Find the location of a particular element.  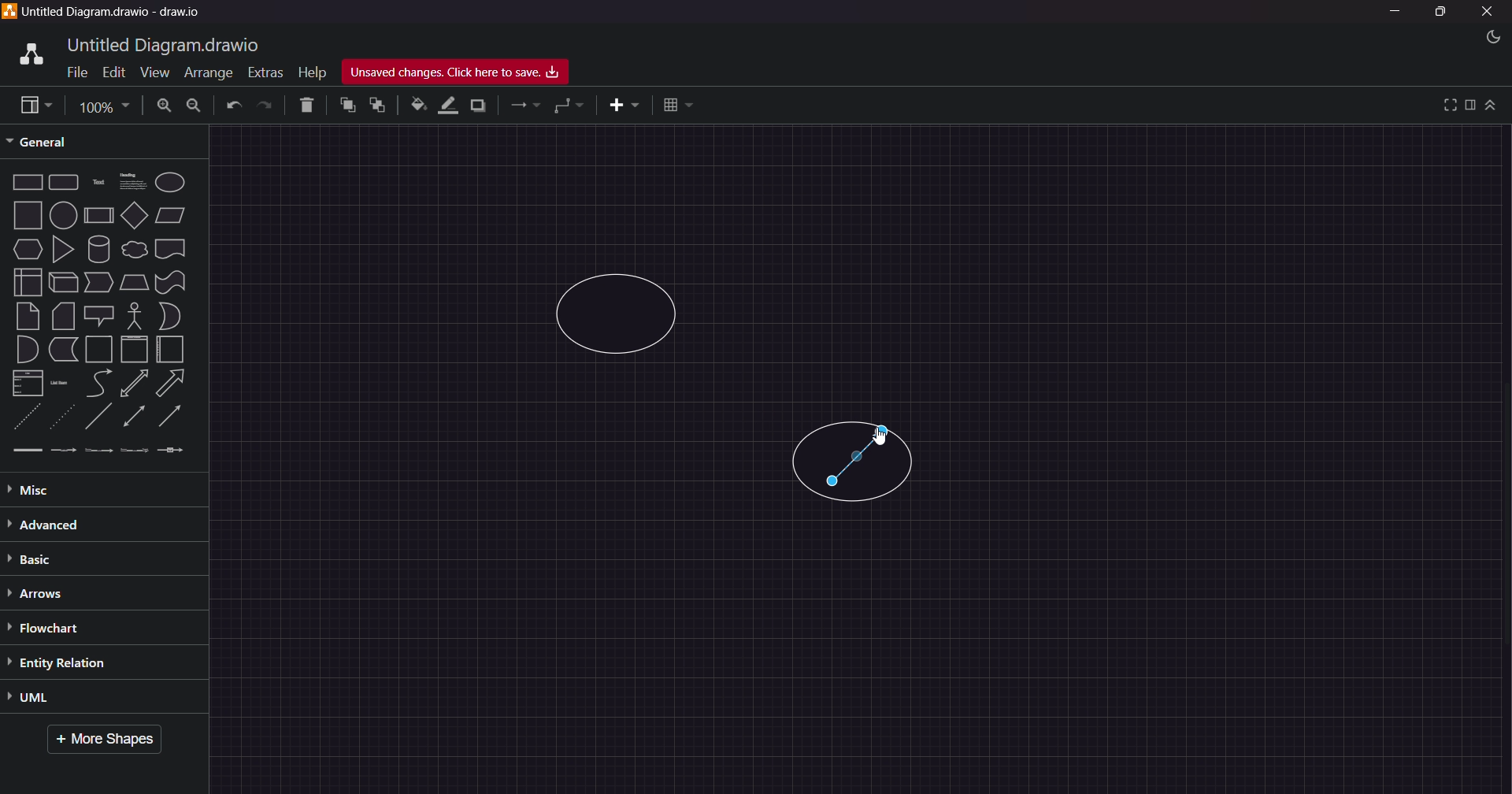

Unsaved Changes, Click here to Save is located at coordinates (462, 72).